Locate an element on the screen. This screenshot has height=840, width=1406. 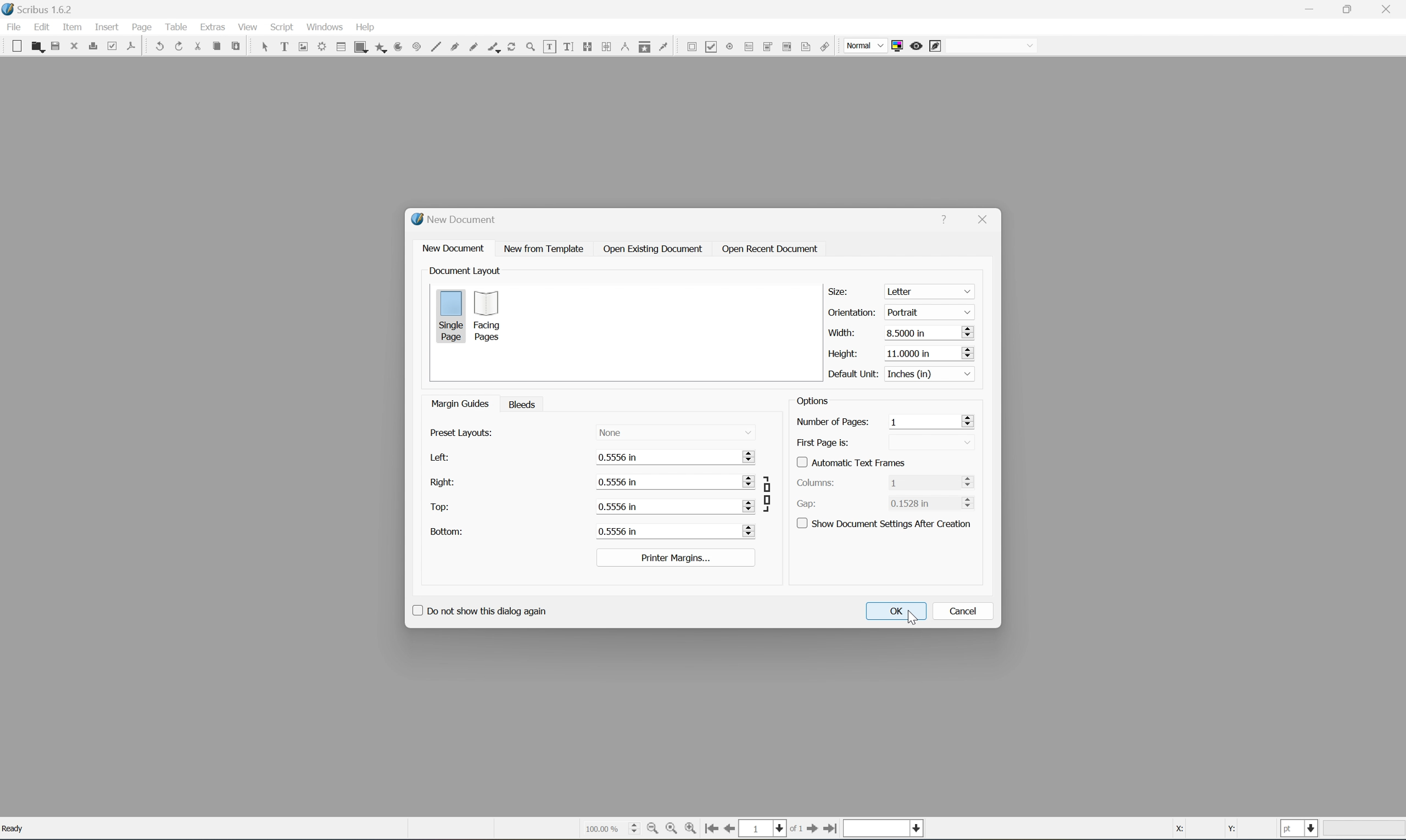
render frame is located at coordinates (322, 46).